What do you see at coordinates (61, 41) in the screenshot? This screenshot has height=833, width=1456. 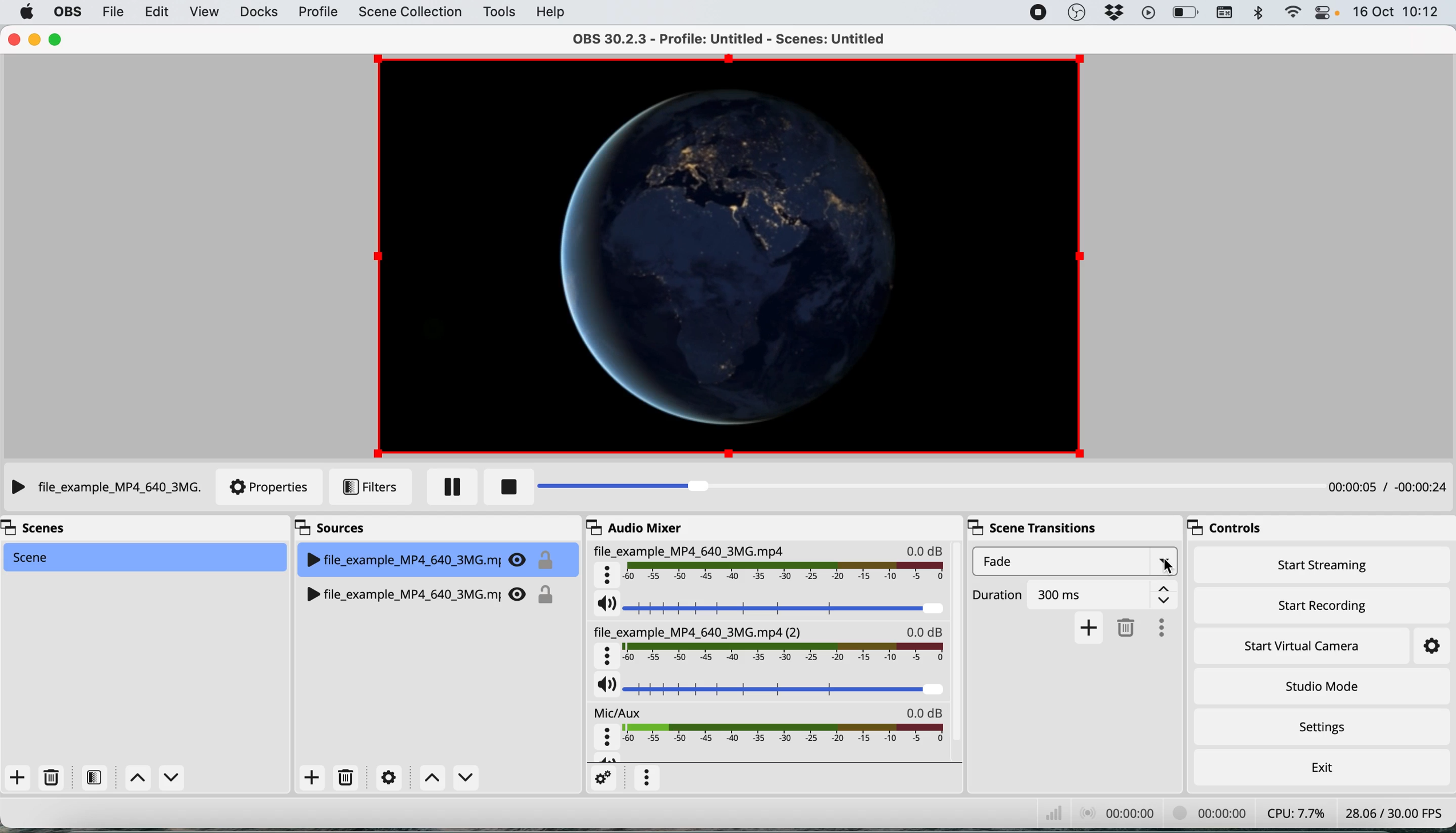 I see `maximise` at bounding box center [61, 41].